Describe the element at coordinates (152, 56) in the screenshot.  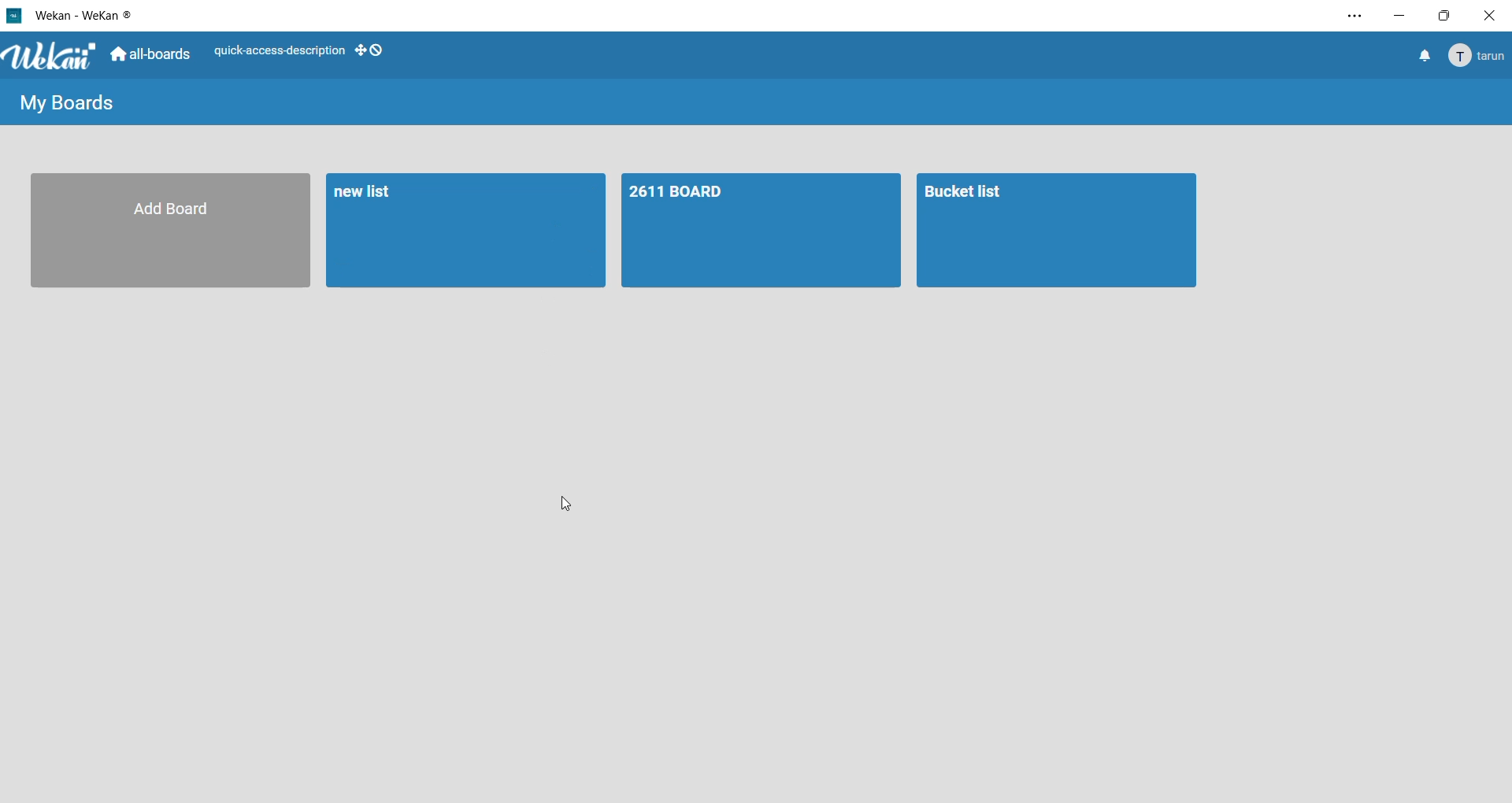
I see `all boards` at that location.